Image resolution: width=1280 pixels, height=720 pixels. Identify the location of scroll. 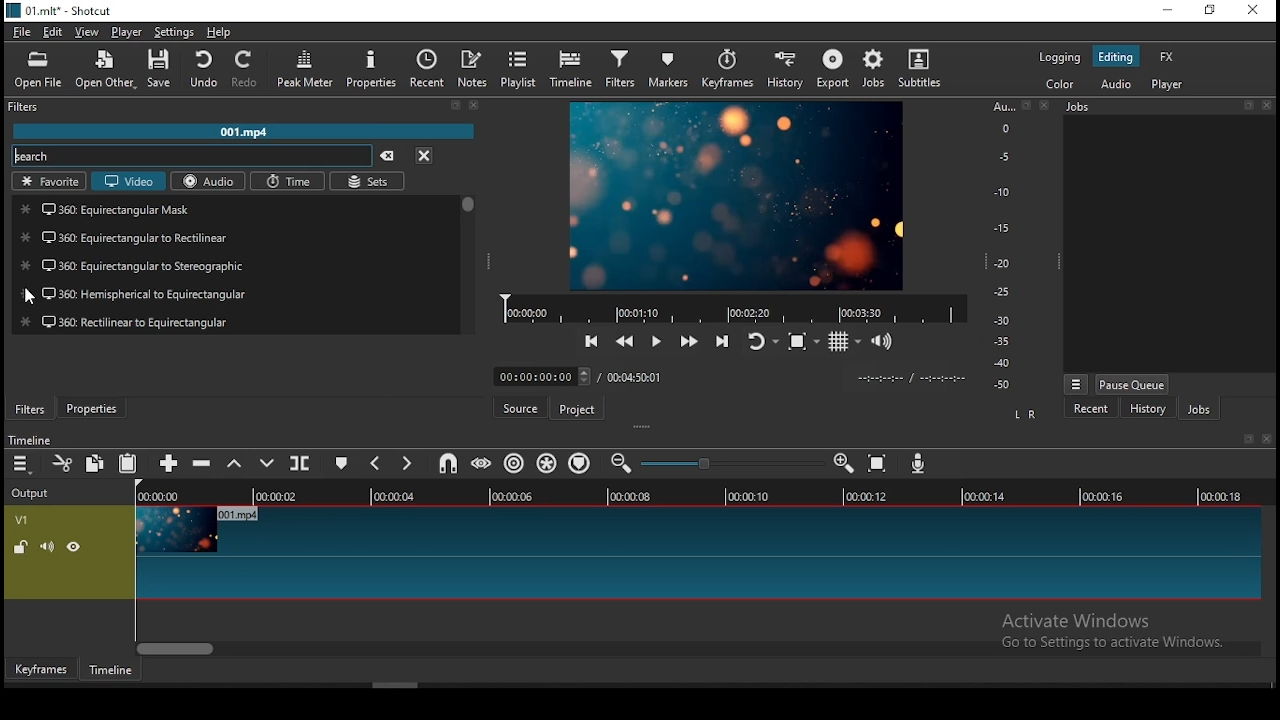
(643, 685).